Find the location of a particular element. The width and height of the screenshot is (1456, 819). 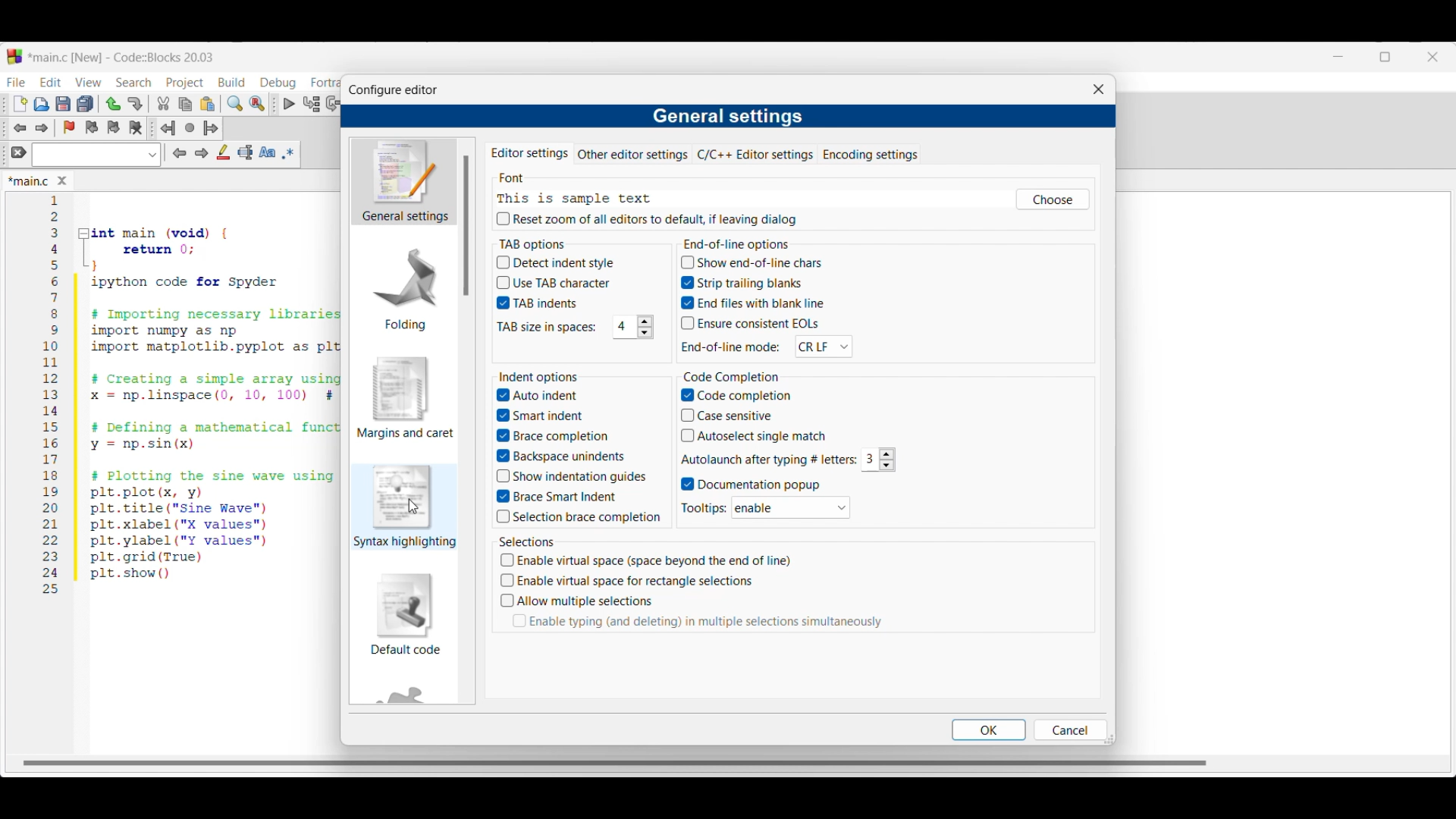

Previous bookmark is located at coordinates (91, 127).